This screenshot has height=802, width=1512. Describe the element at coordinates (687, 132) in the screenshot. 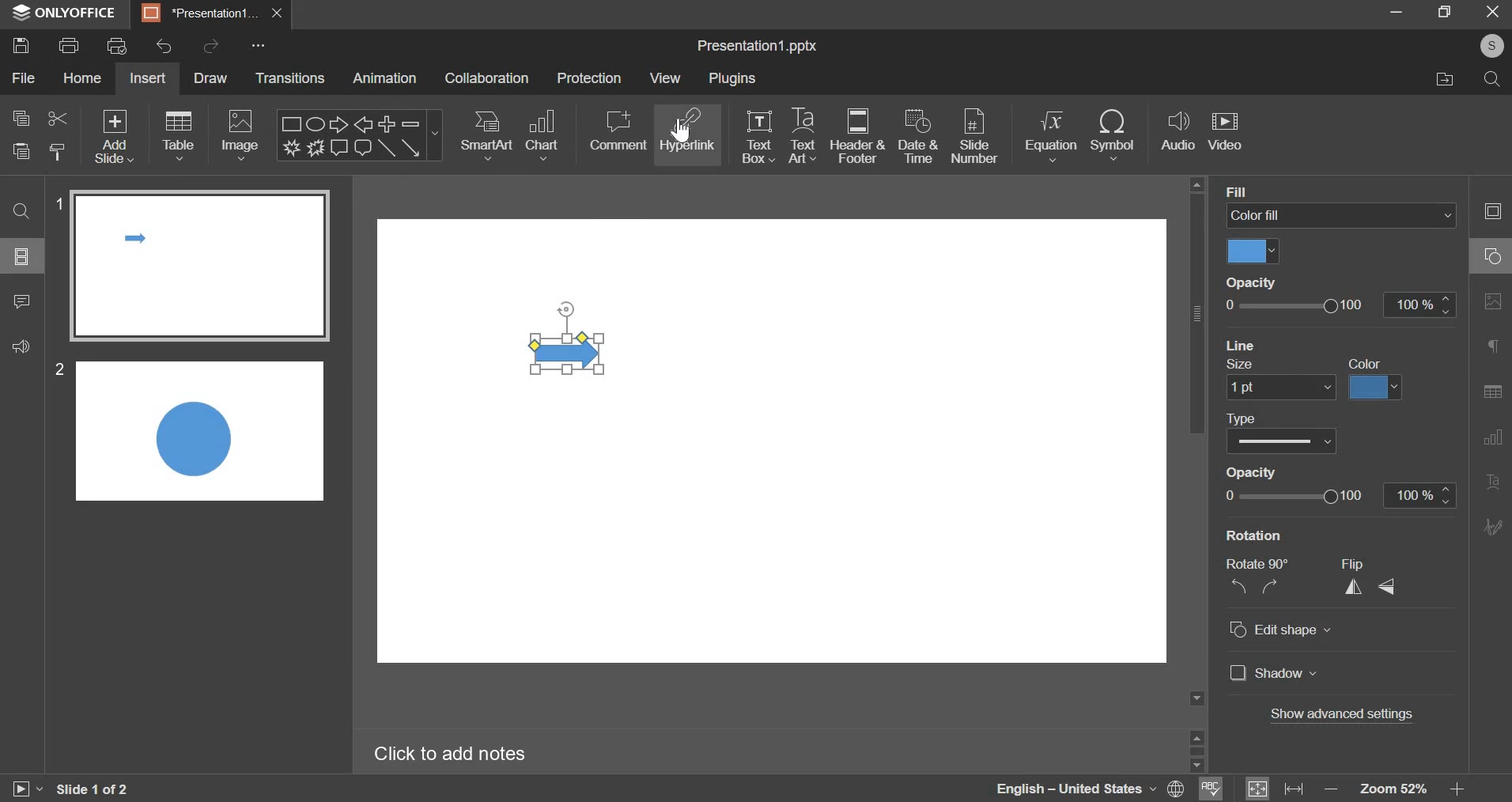

I see `hyperlink` at that location.